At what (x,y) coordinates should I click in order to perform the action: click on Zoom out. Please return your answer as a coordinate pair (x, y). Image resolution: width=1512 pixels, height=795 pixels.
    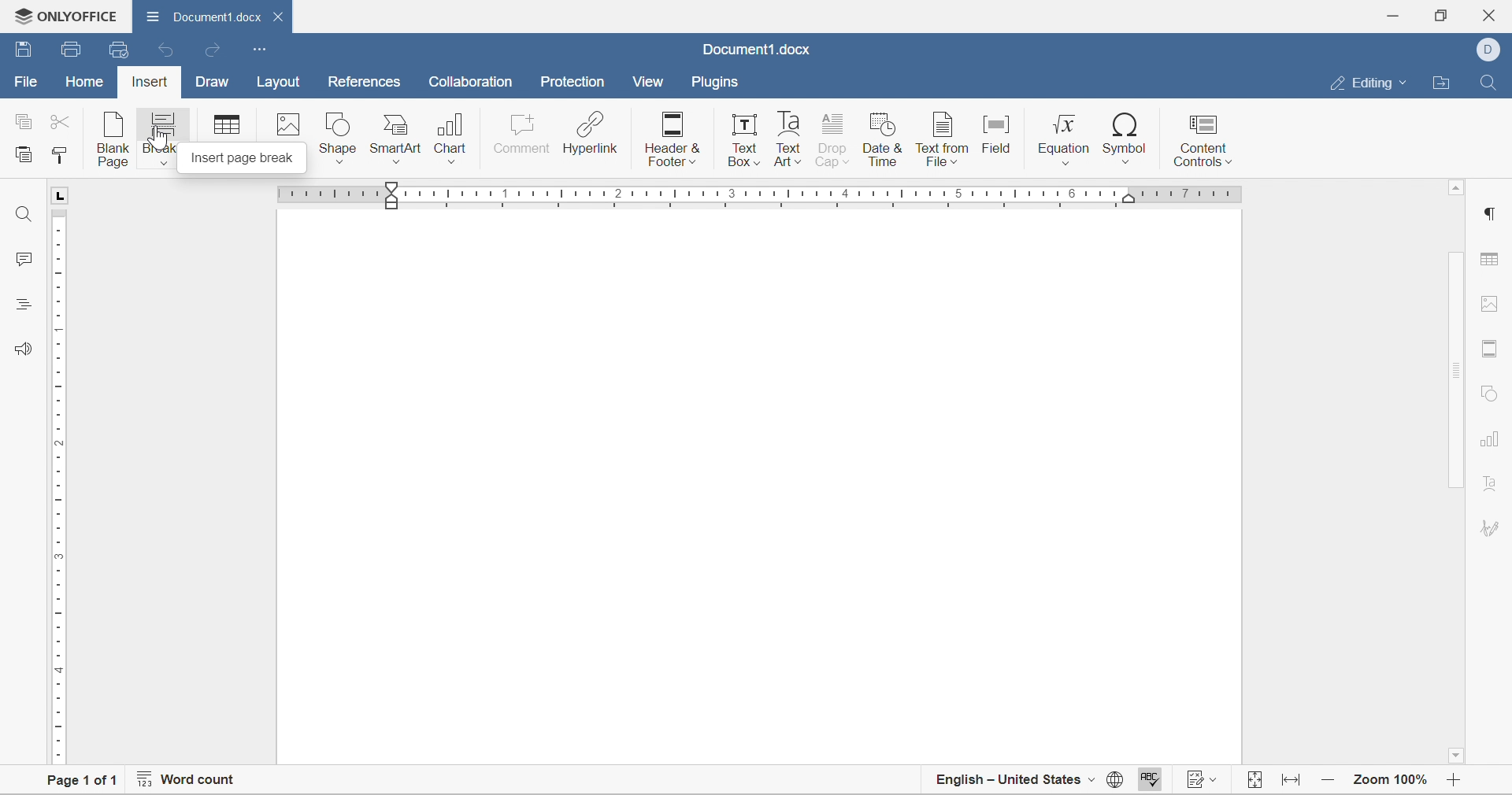
    Looking at the image, I should click on (1329, 782).